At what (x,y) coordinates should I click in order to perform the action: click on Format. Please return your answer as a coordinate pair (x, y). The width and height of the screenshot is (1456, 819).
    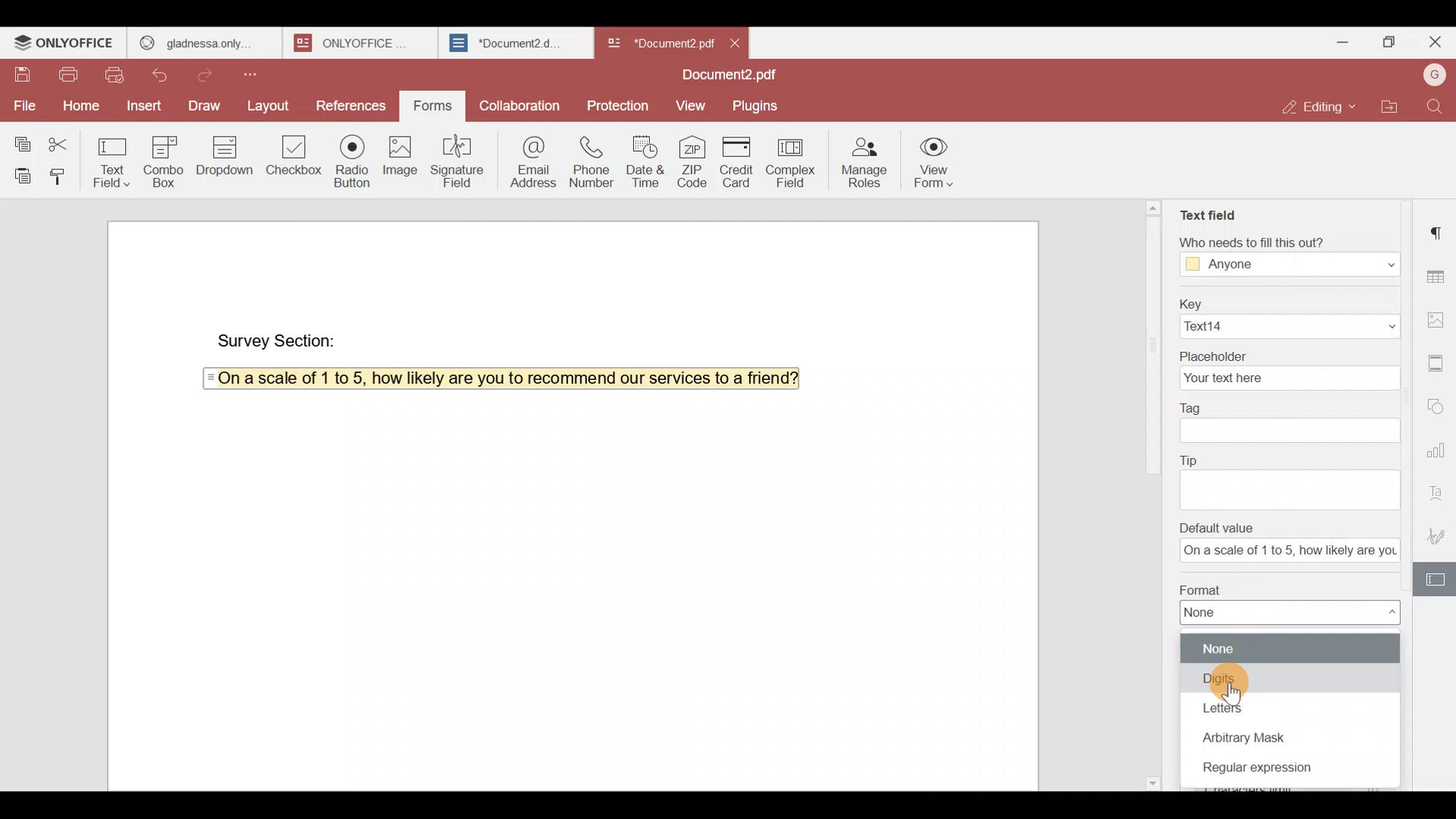
    Looking at the image, I should click on (1288, 587).